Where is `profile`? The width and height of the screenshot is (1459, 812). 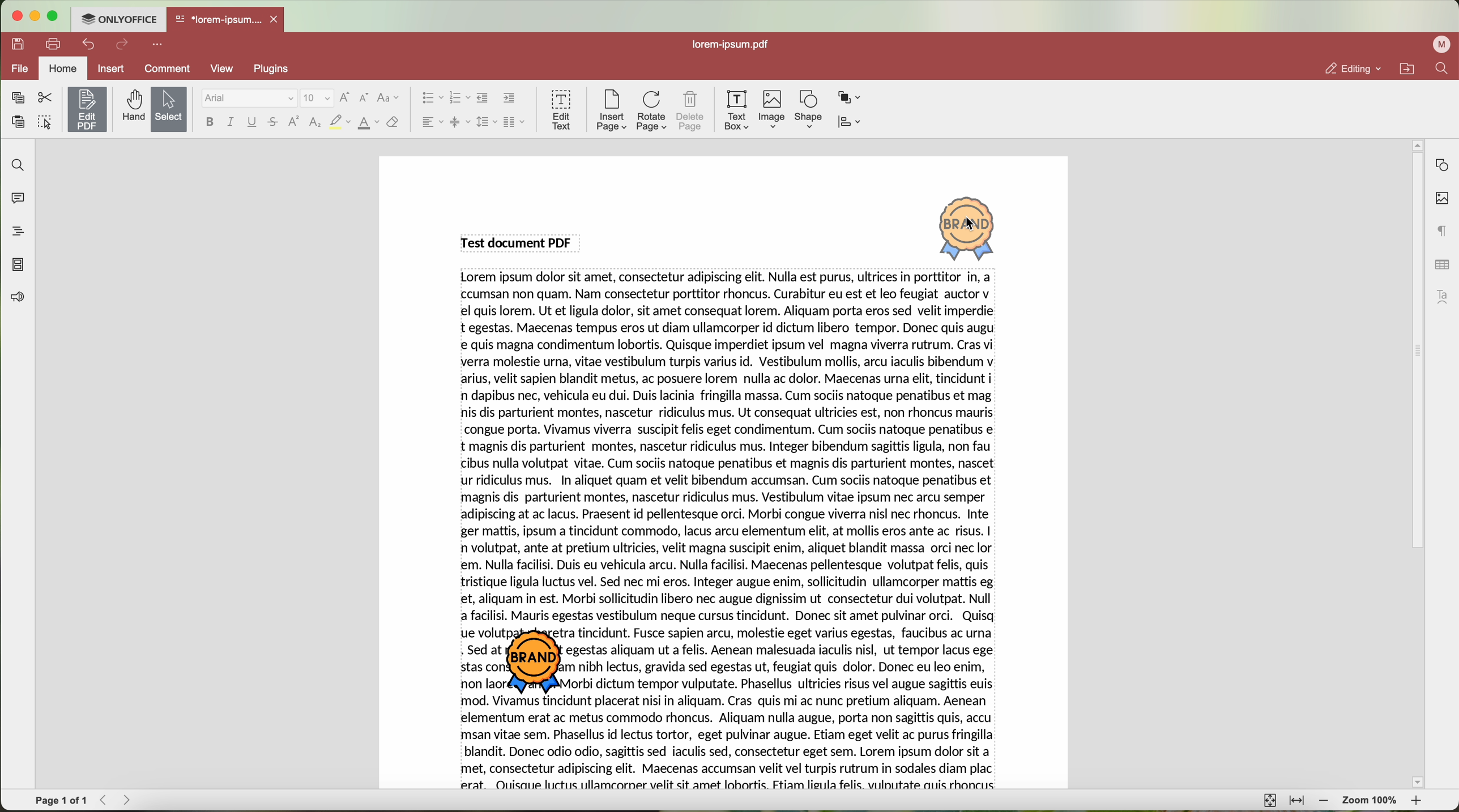 profile is located at coordinates (1444, 44).